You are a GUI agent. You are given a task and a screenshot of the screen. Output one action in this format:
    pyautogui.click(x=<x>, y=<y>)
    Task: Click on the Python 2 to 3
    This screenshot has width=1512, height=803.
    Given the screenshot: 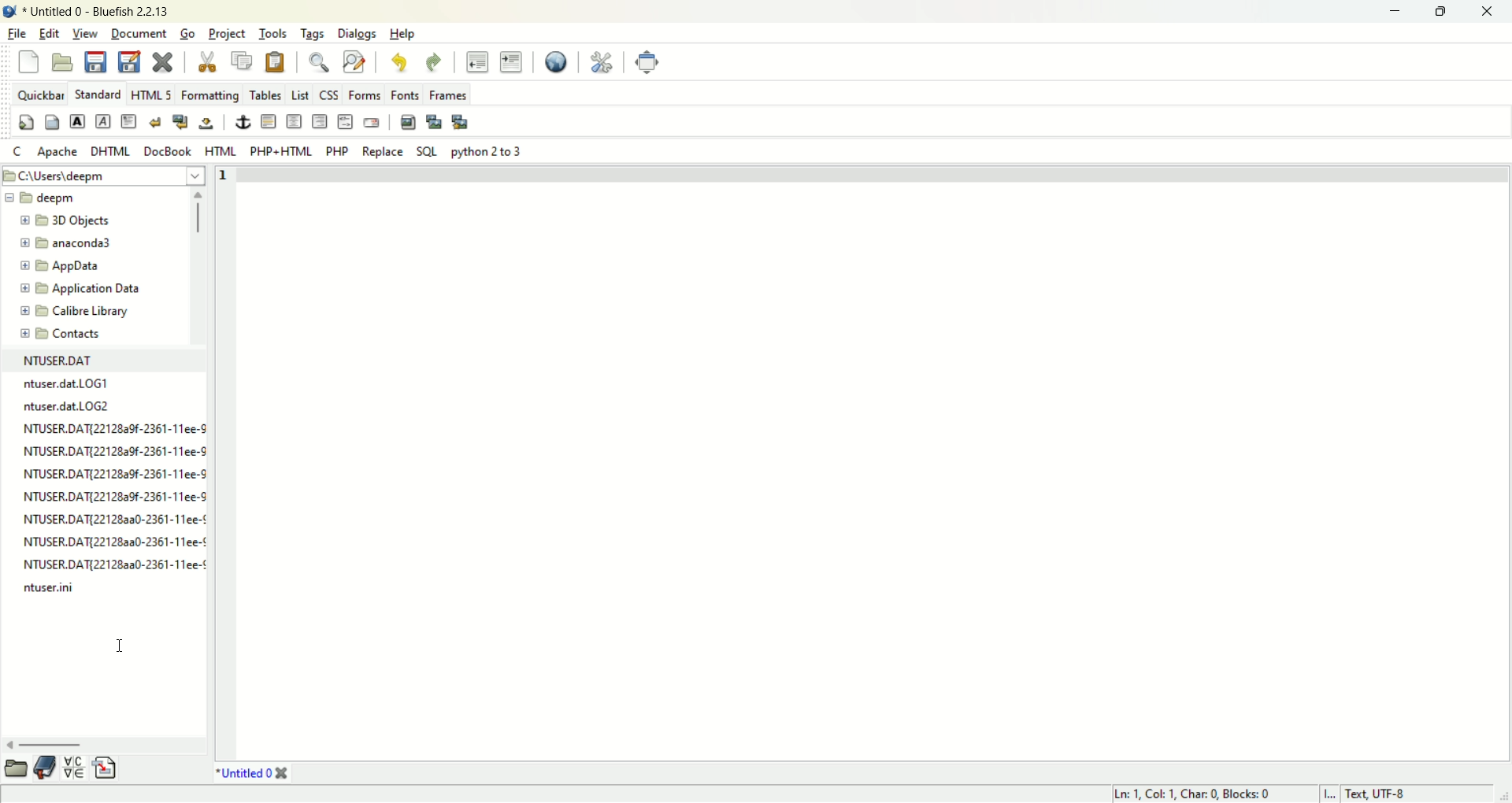 What is the action you would take?
    pyautogui.click(x=490, y=151)
    